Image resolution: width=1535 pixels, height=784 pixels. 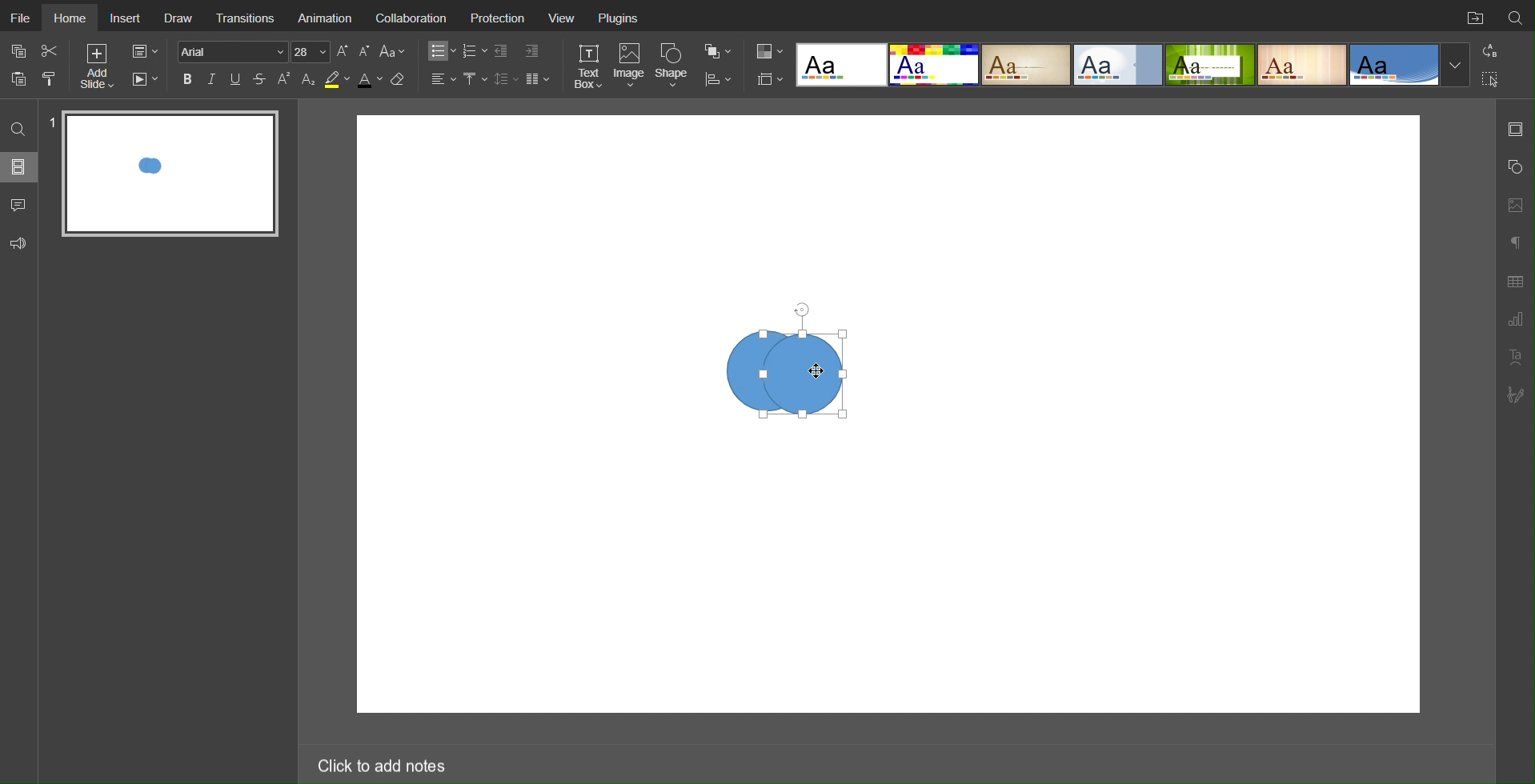 What do you see at coordinates (475, 79) in the screenshot?
I see `Vertical Alignment` at bounding box center [475, 79].